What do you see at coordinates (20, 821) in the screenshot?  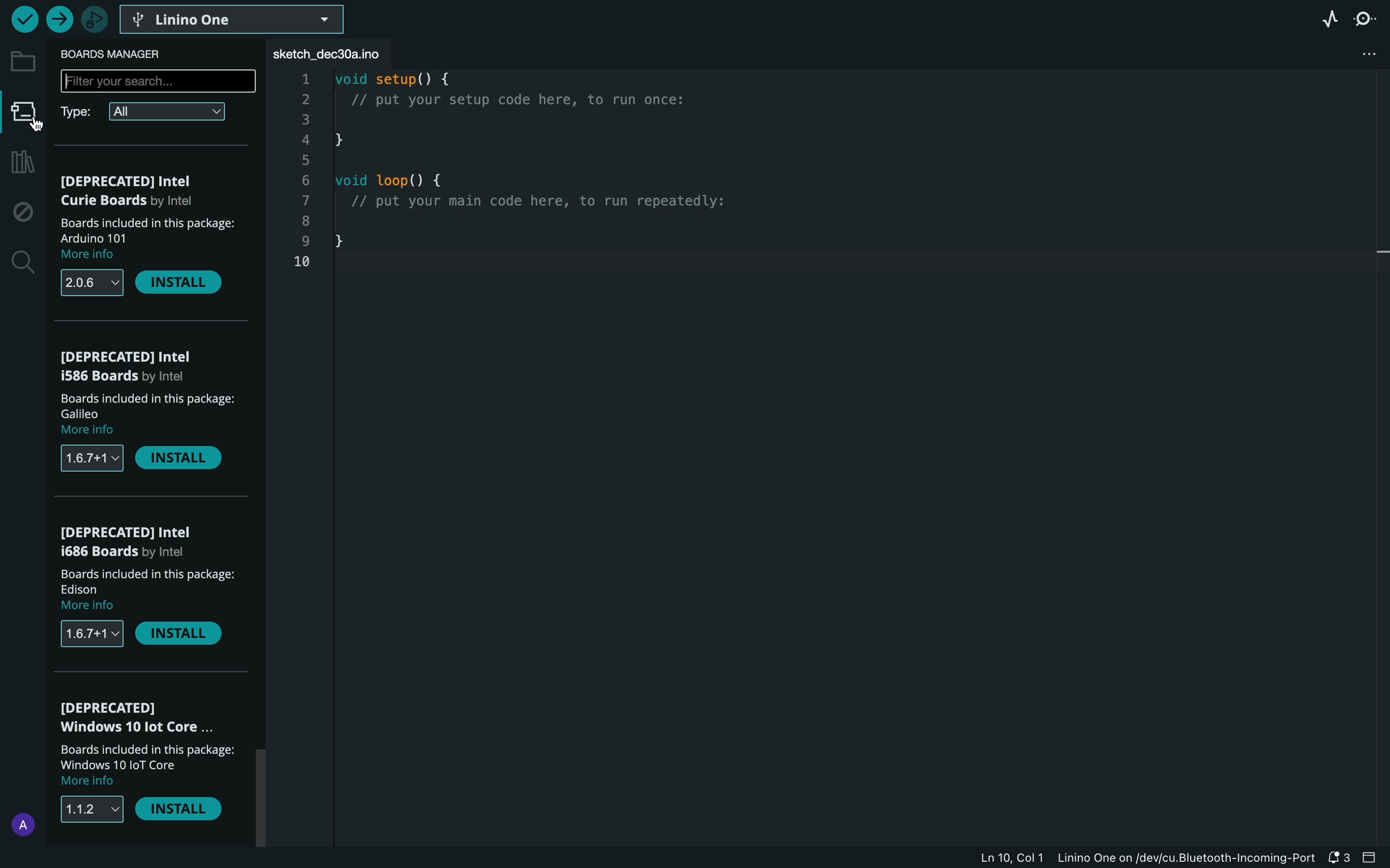 I see `profile` at bounding box center [20, 821].